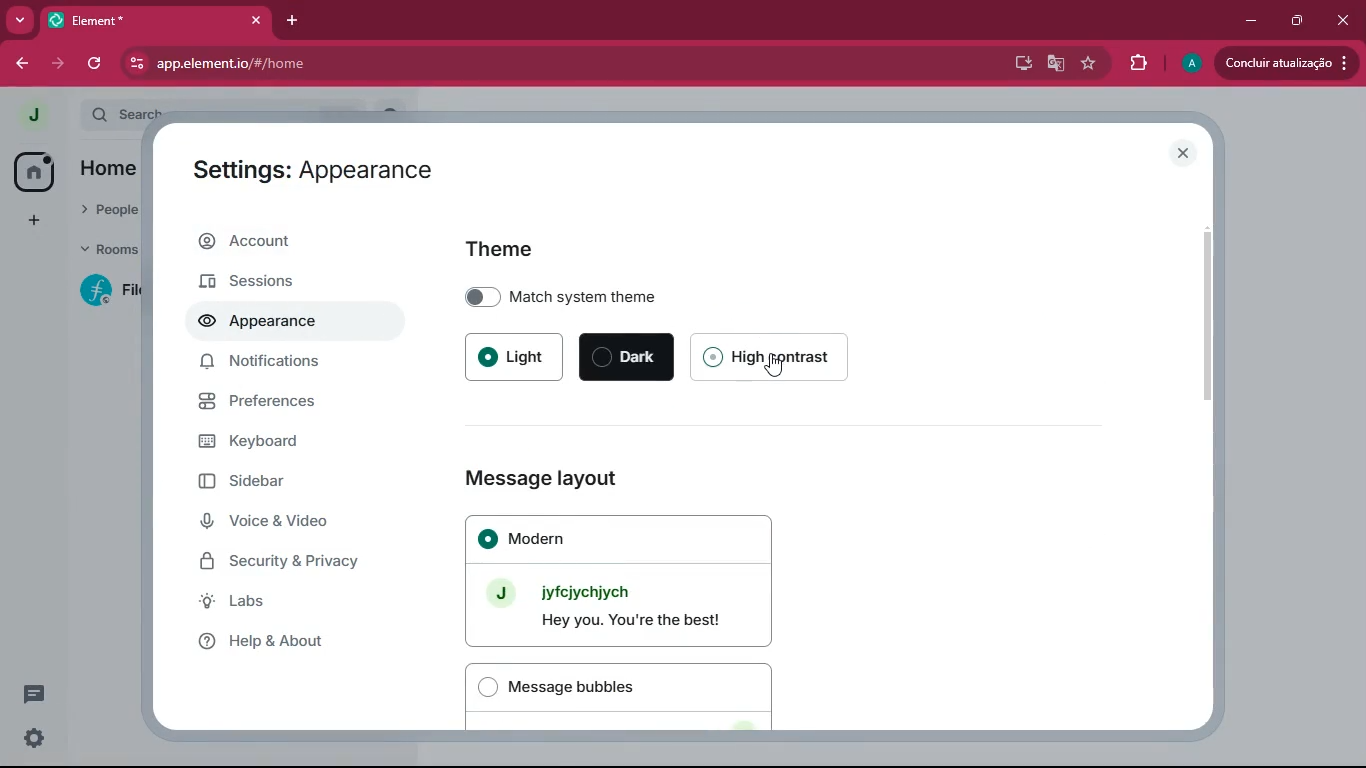 The image size is (1366, 768). What do you see at coordinates (1020, 64) in the screenshot?
I see `desktop` at bounding box center [1020, 64].